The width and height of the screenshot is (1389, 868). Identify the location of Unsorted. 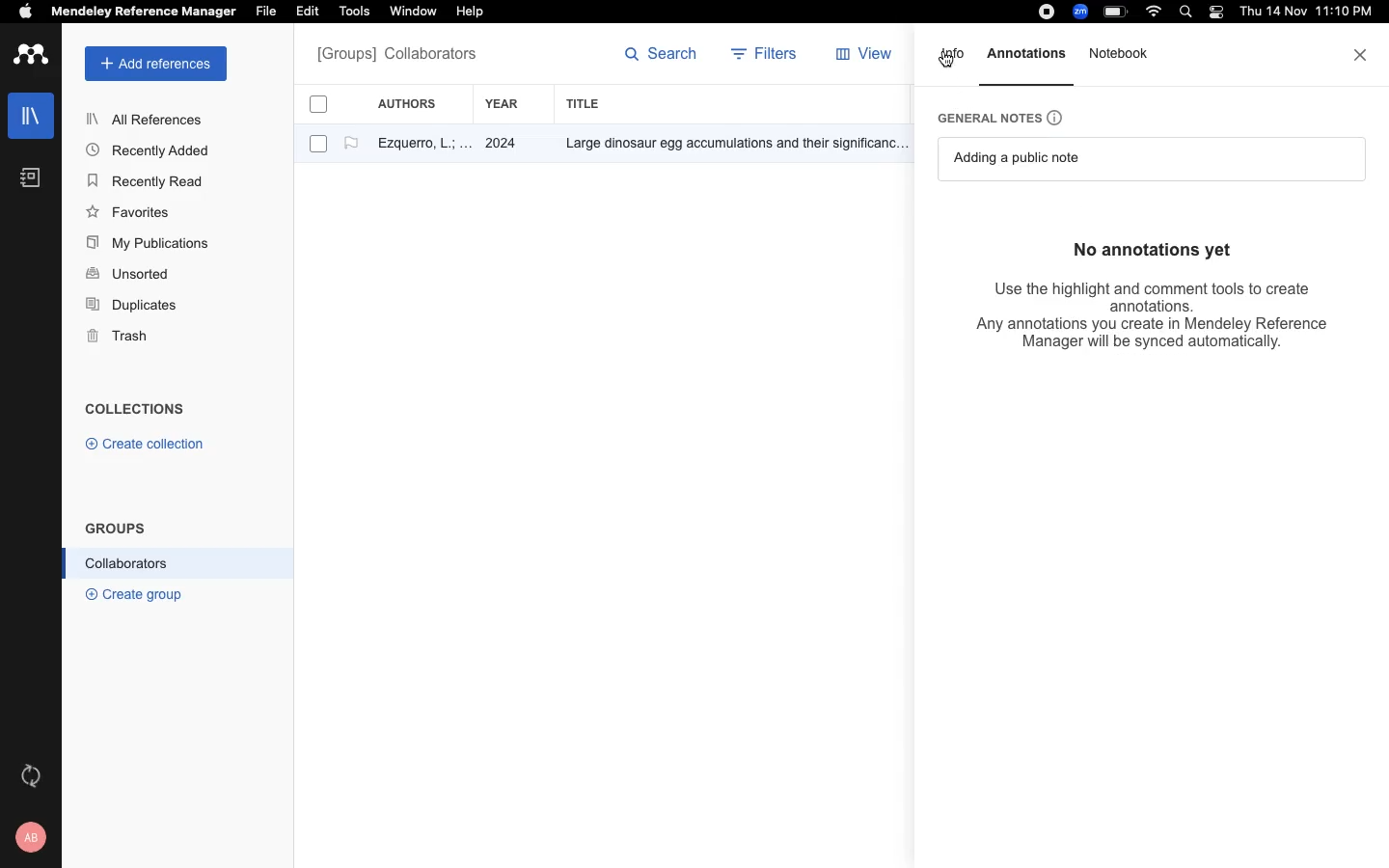
(130, 275).